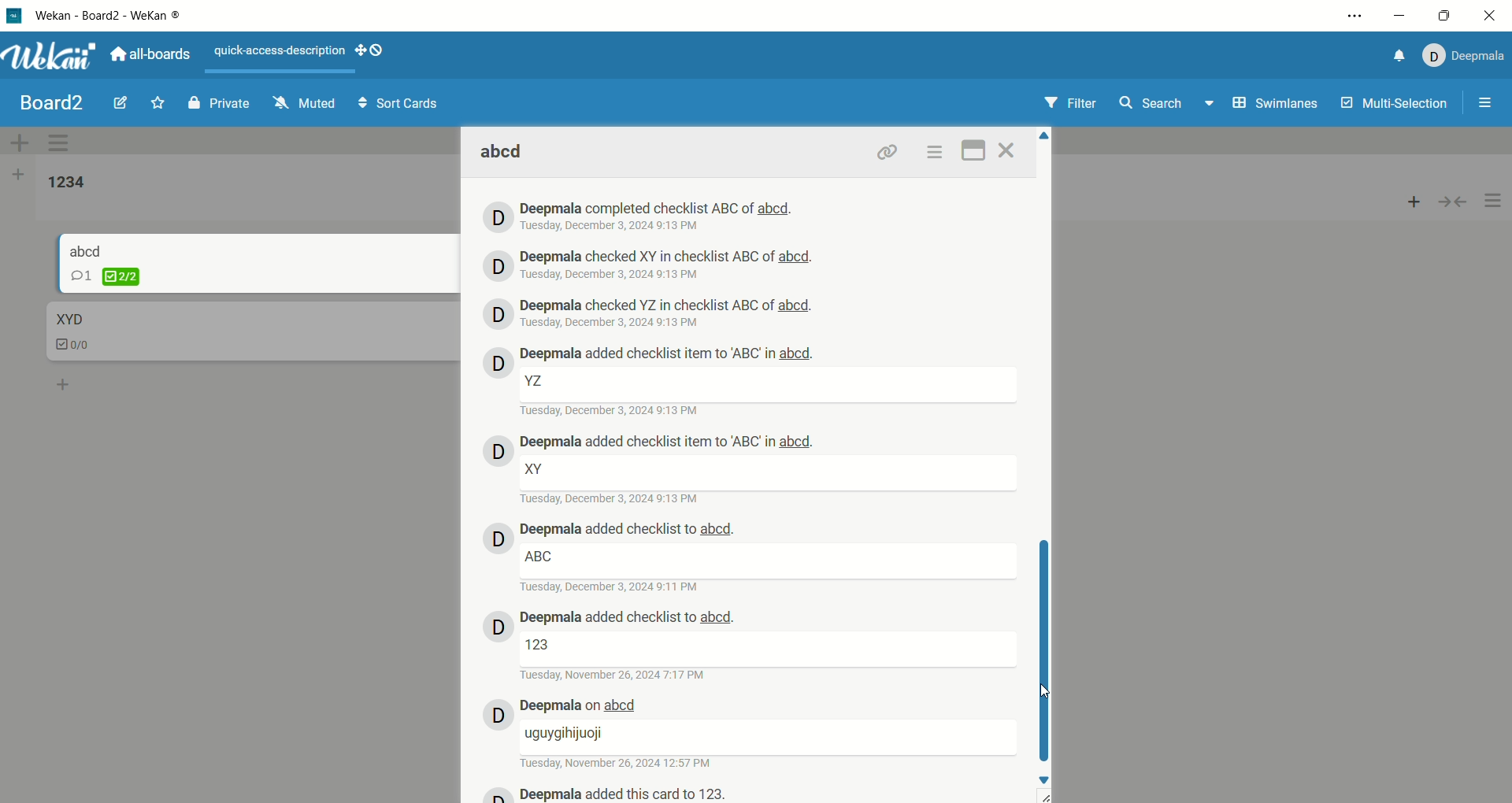 This screenshot has width=1512, height=803. Describe the element at coordinates (398, 105) in the screenshot. I see `sort cards` at that location.